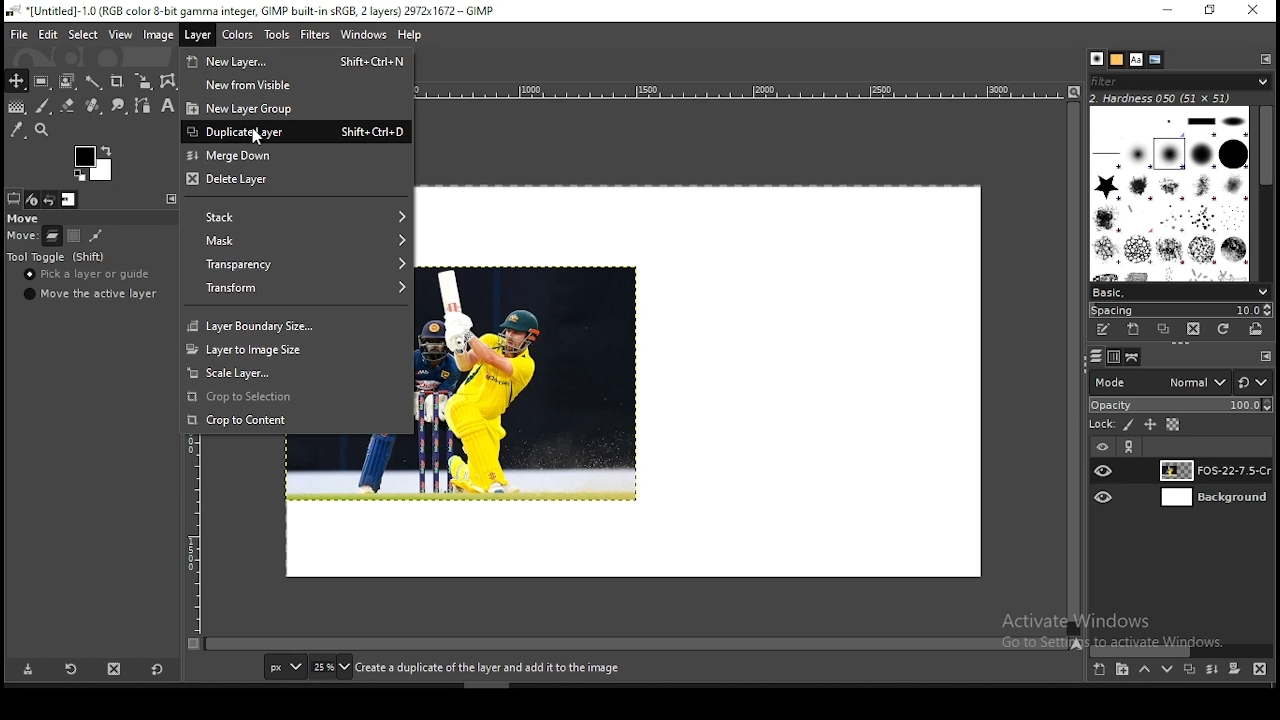 Image resolution: width=1280 pixels, height=720 pixels. What do you see at coordinates (262, 140) in the screenshot?
I see `cursor` at bounding box center [262, 140].